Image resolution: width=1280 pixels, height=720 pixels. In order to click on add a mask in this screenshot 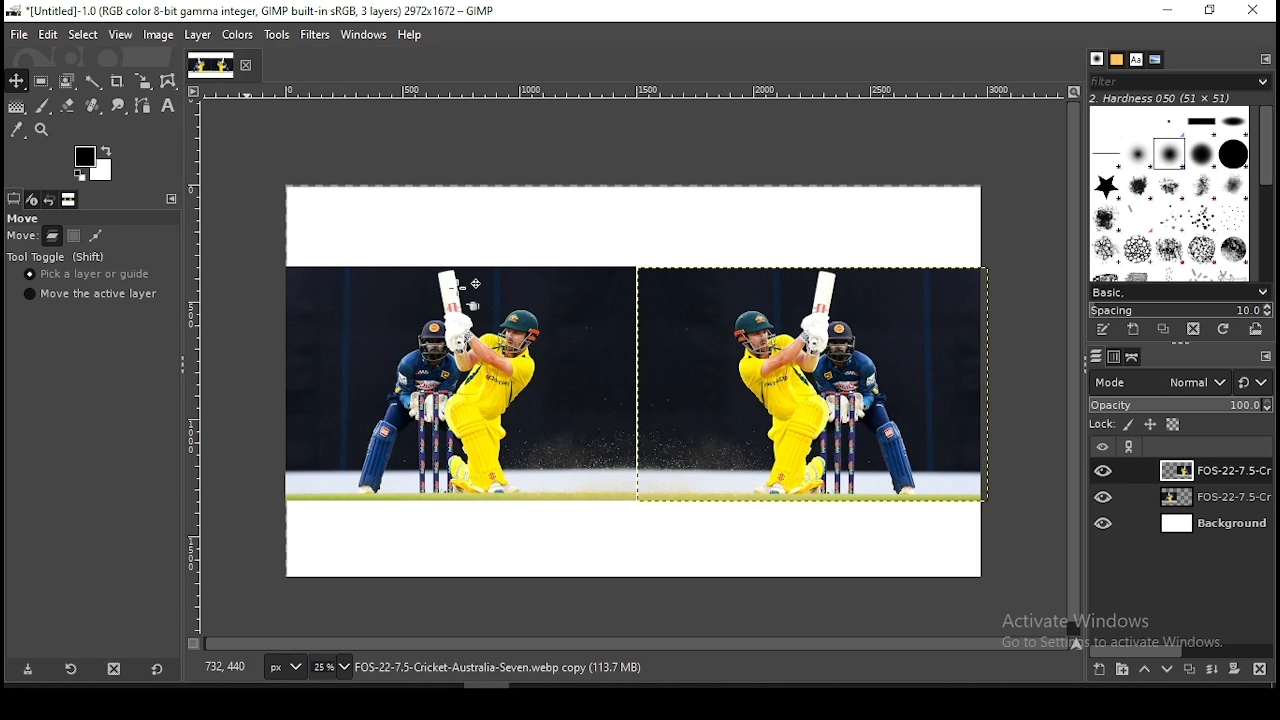, I will do `click(1232, 670)`.